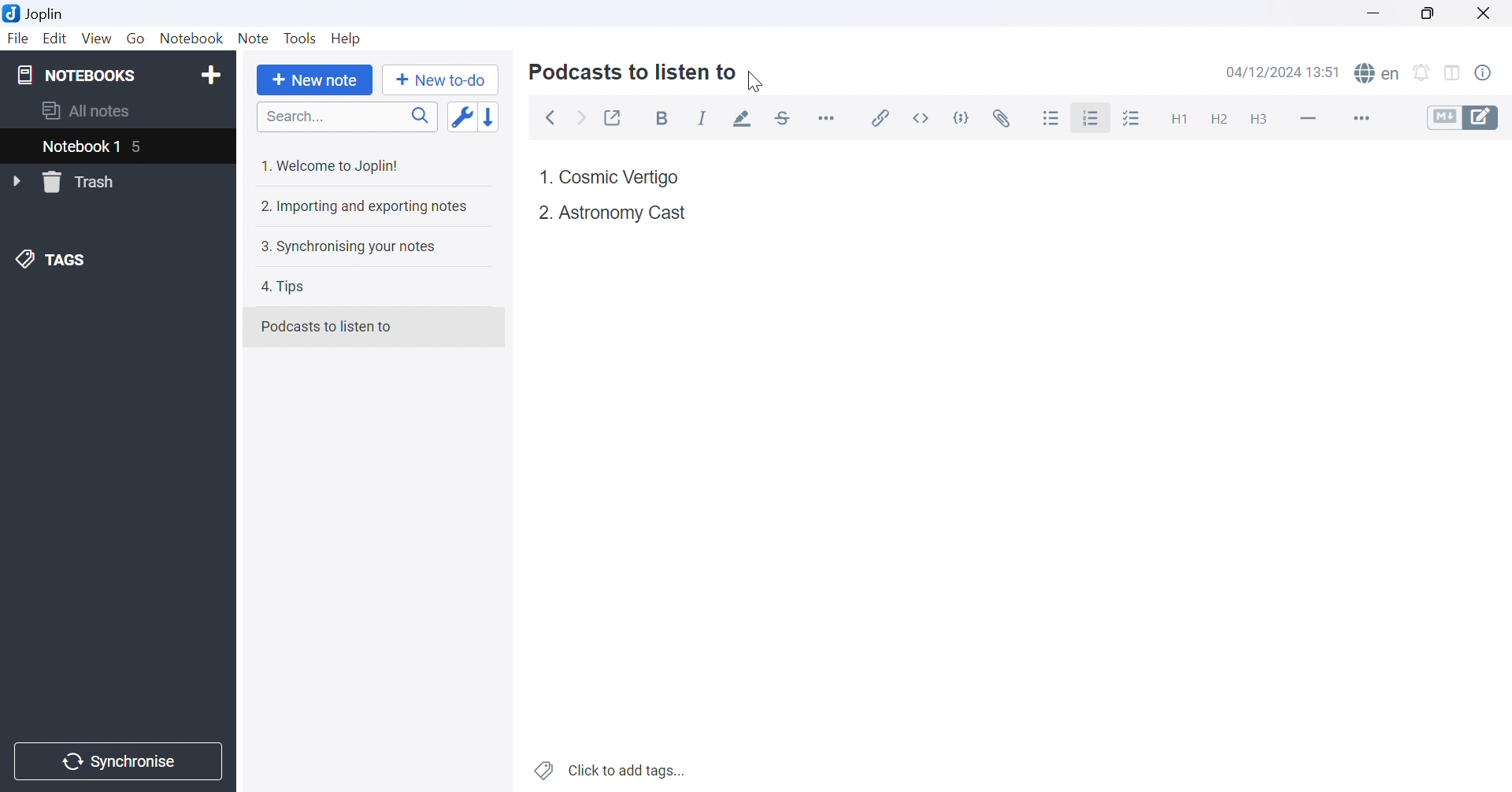 The image size is (1512, 792). I want to click on 04/12/2024 13:49, so click(1284, 72).